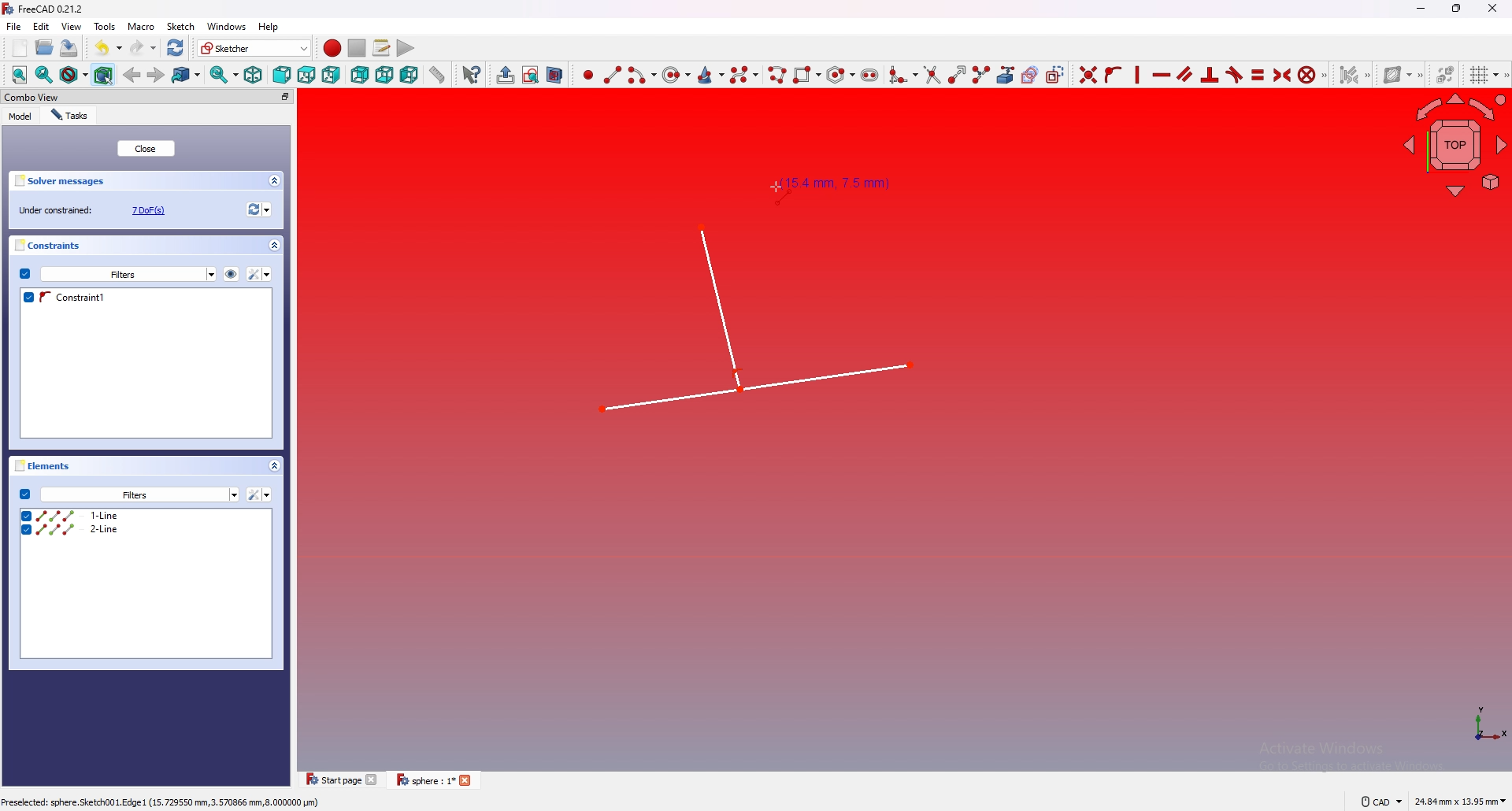 The width and height of the screenshot is (1512, 811). Describe the element at coordinates (1004, 75) in the screenshot. I see `Create external geometry` at that location.